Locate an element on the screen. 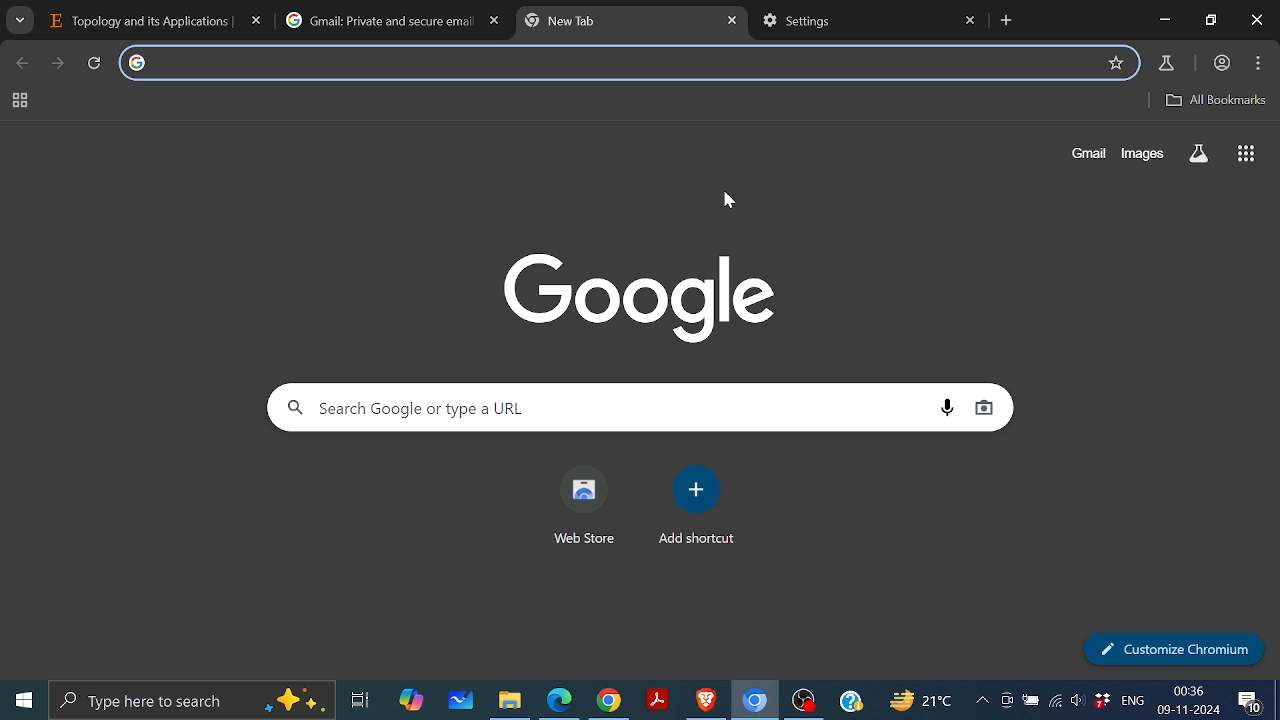 Image resolution: width=1280 pixels, height=720 pixels. connection is located at coordinates (1054, 703).